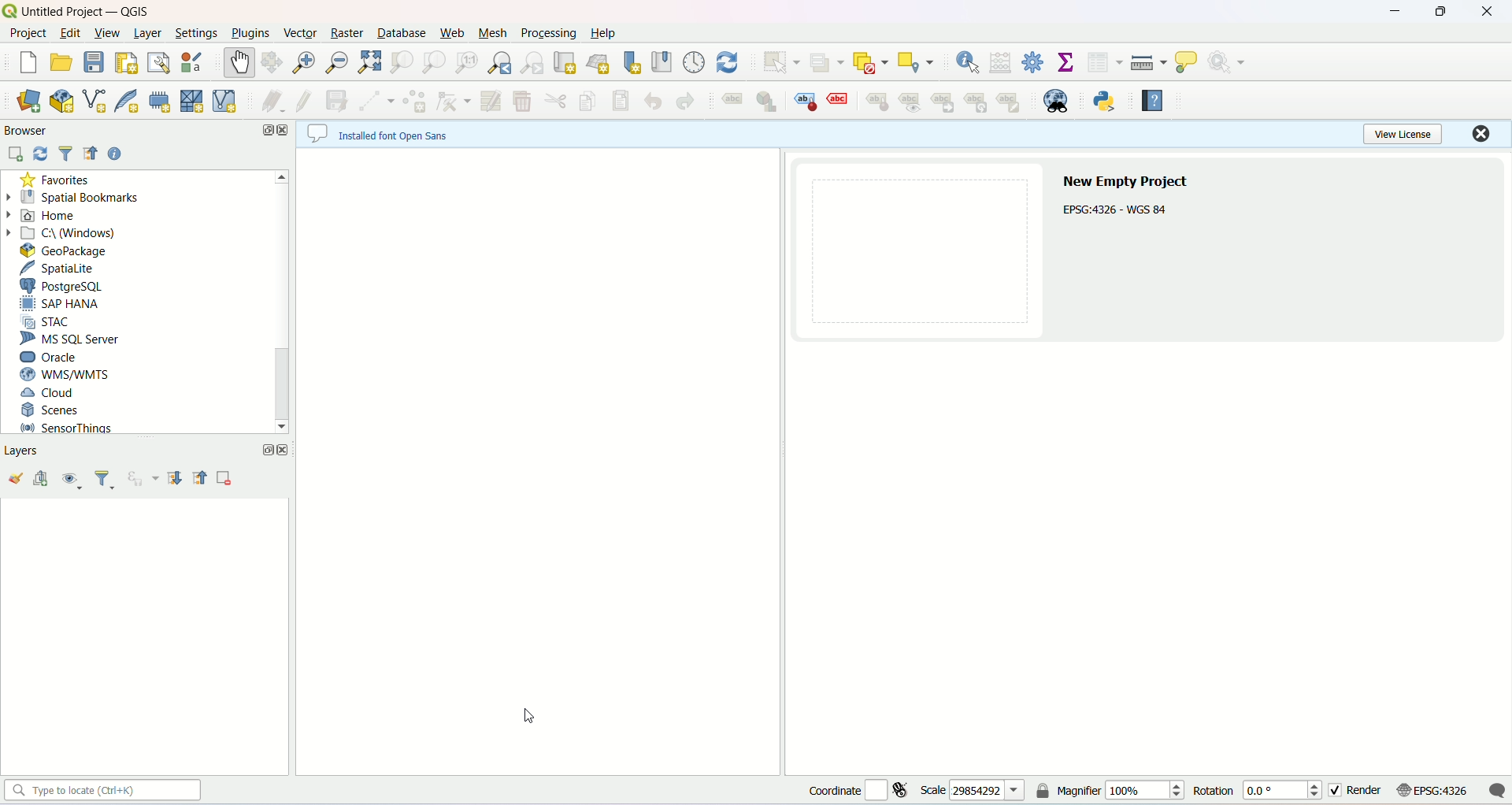 This screenshot has height=805, width=1512. What do you see at coordinates (697, 63) in the screenshot?
I see `temporal controller panel` at bounding box center [697, 63].